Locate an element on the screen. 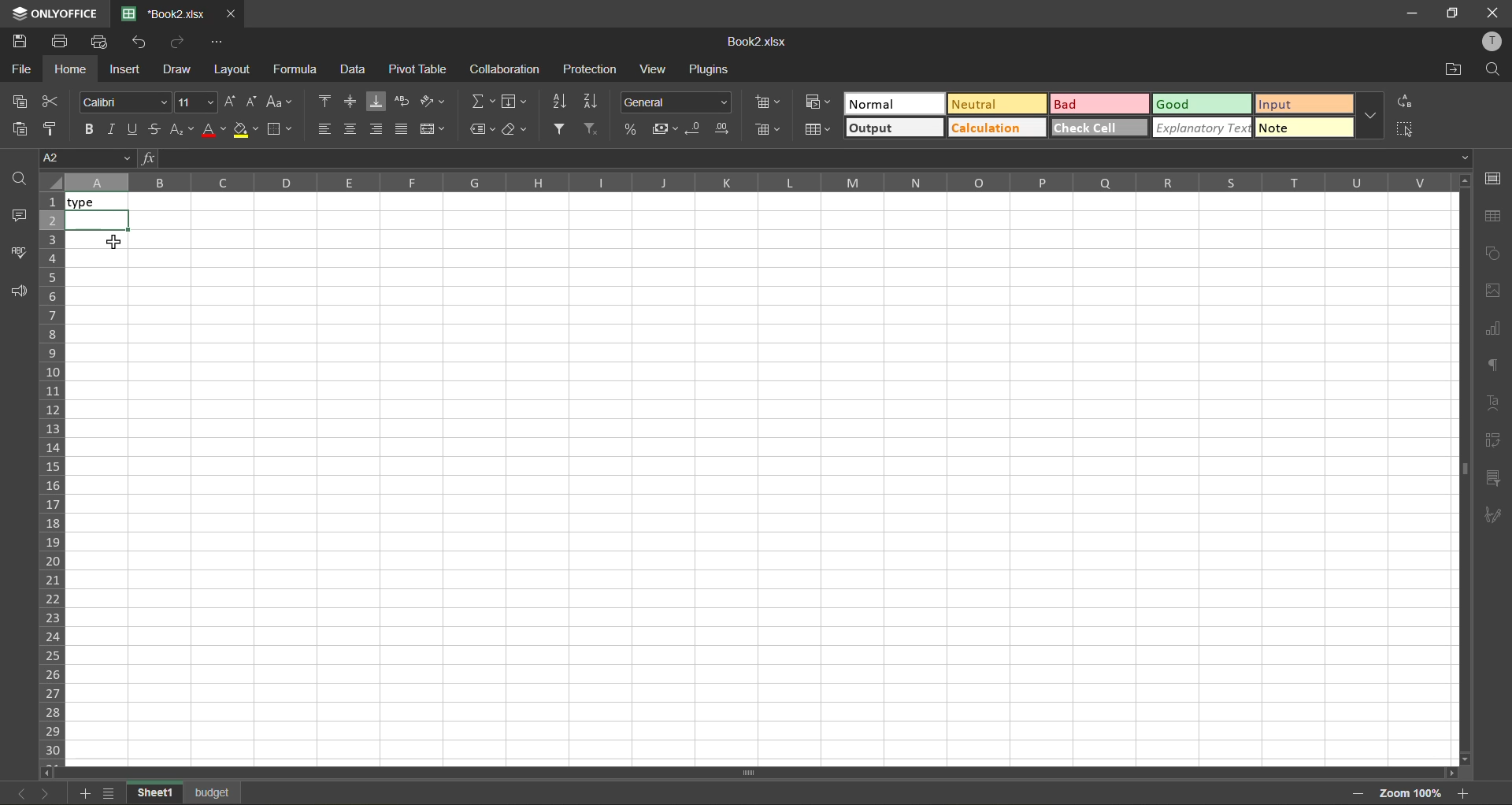 This screenshot has height=805, width=1512. pivot table is located at coordinates (417, 69).